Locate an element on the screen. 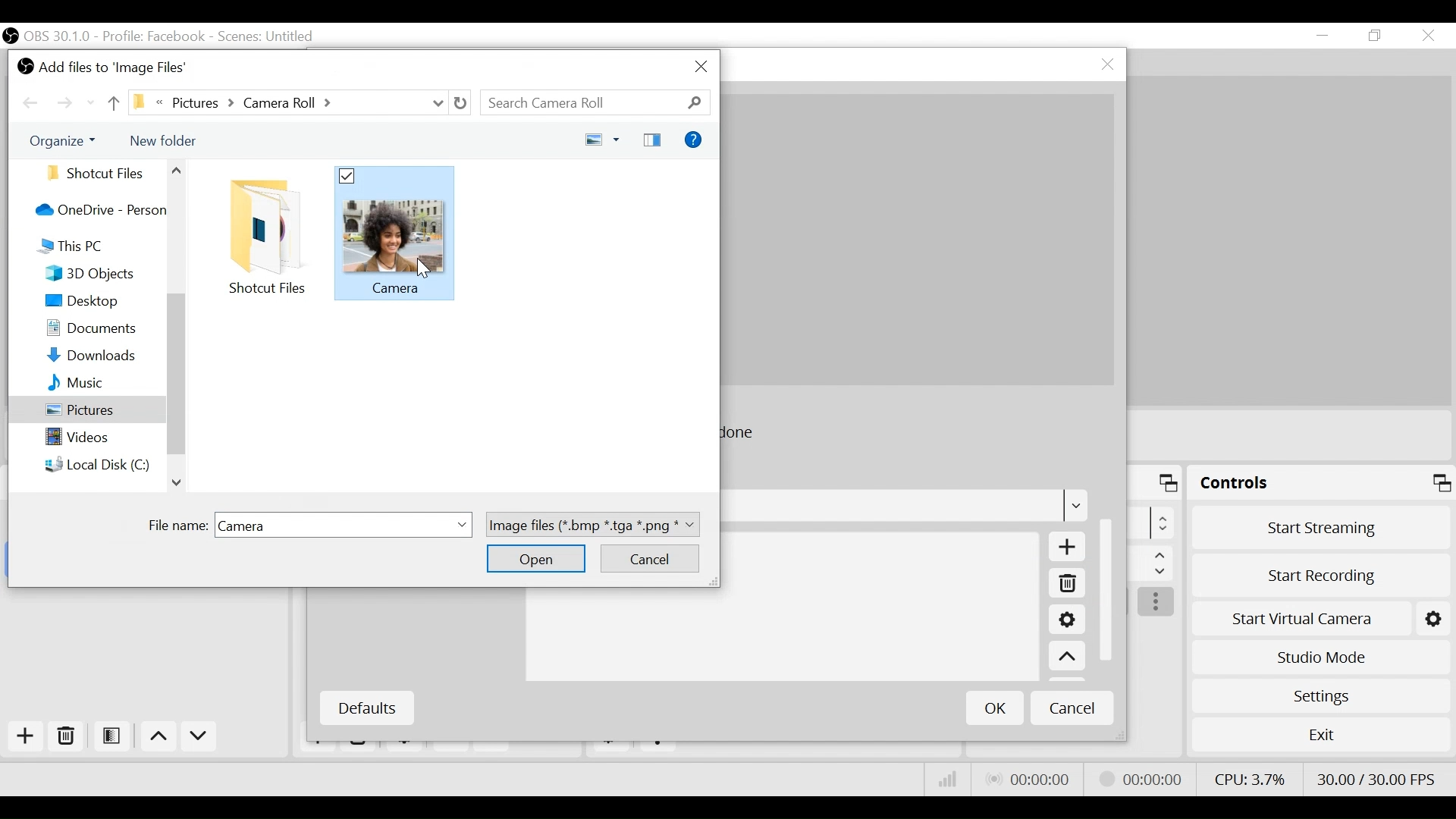 The width and height of the screenshot is (1456, 819). minimize is located at coordinates (1326, 36).